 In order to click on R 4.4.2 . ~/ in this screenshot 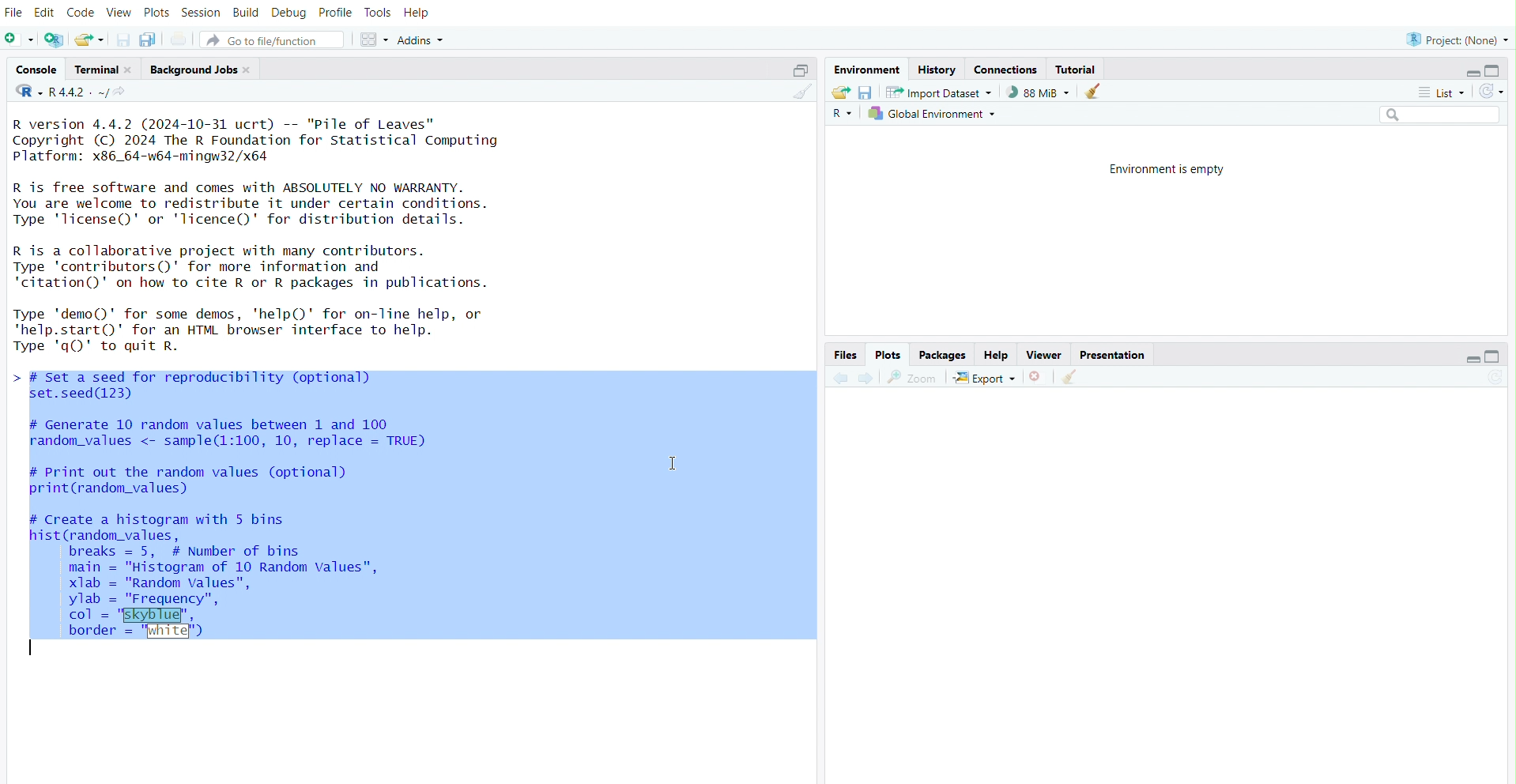, I will do `click(81, 92)`.